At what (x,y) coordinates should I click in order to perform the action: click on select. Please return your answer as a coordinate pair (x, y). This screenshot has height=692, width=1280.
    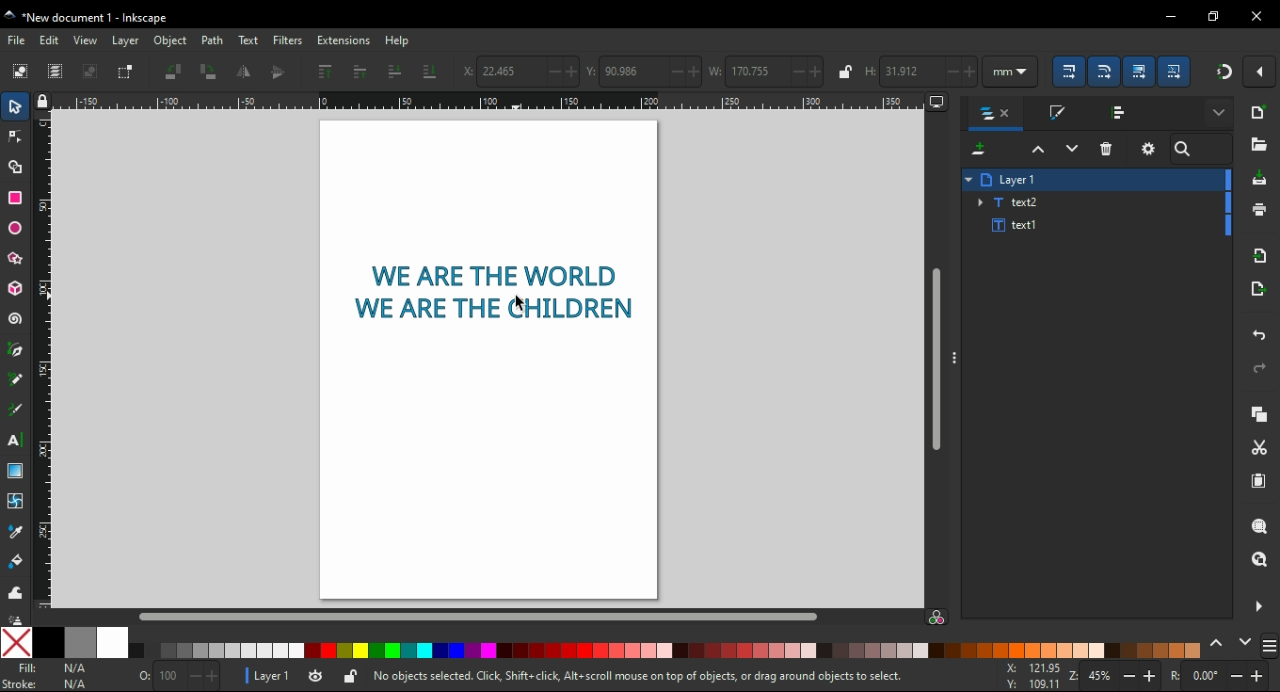
    Looking at the image, I should click on (16, 105).